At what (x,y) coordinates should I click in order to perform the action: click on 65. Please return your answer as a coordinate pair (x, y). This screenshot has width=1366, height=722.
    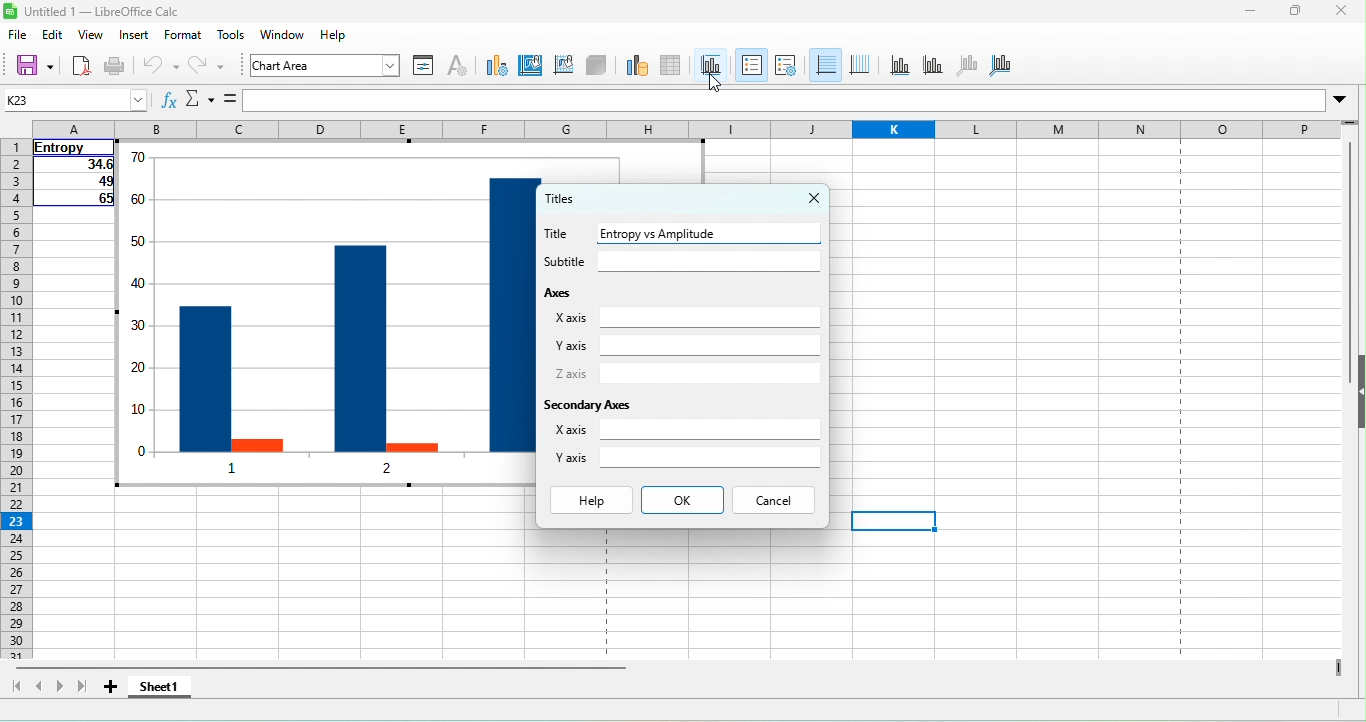
    Looking at the image, I should click on (77, 200).